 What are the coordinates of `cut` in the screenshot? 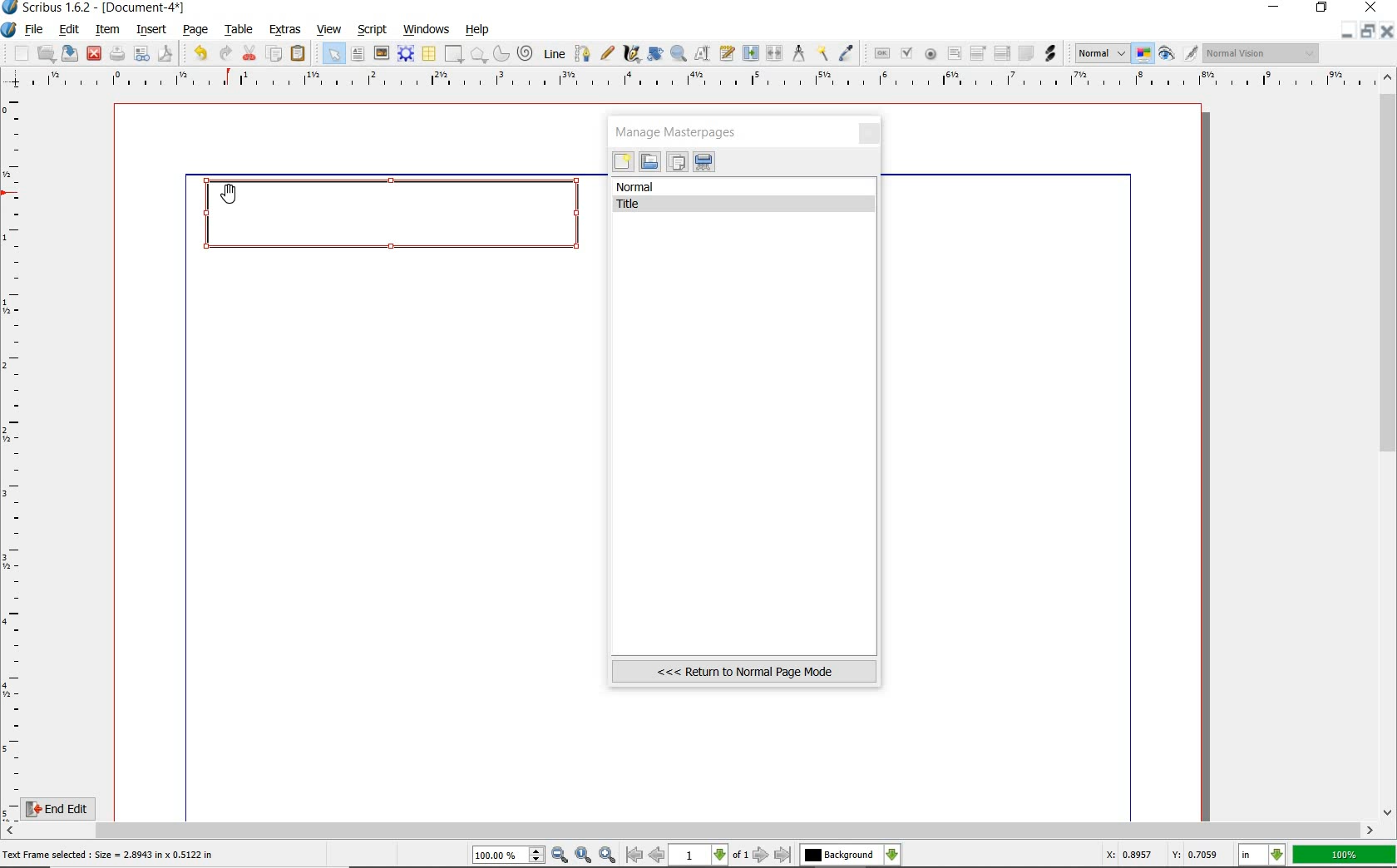 It's located at (249, 52).